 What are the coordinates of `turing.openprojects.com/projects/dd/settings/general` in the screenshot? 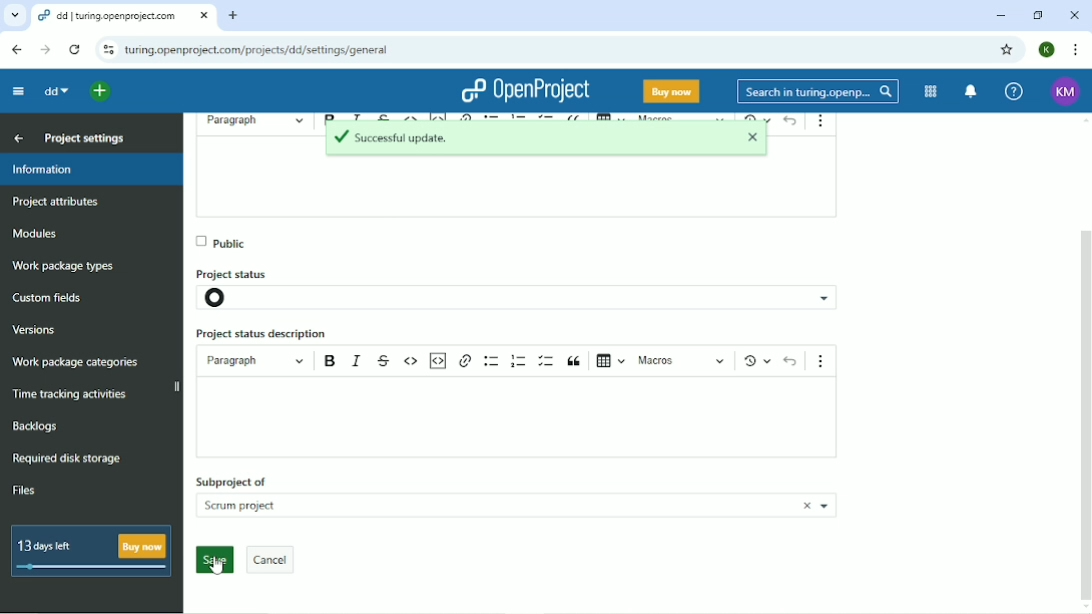 It's located at (263, 49).